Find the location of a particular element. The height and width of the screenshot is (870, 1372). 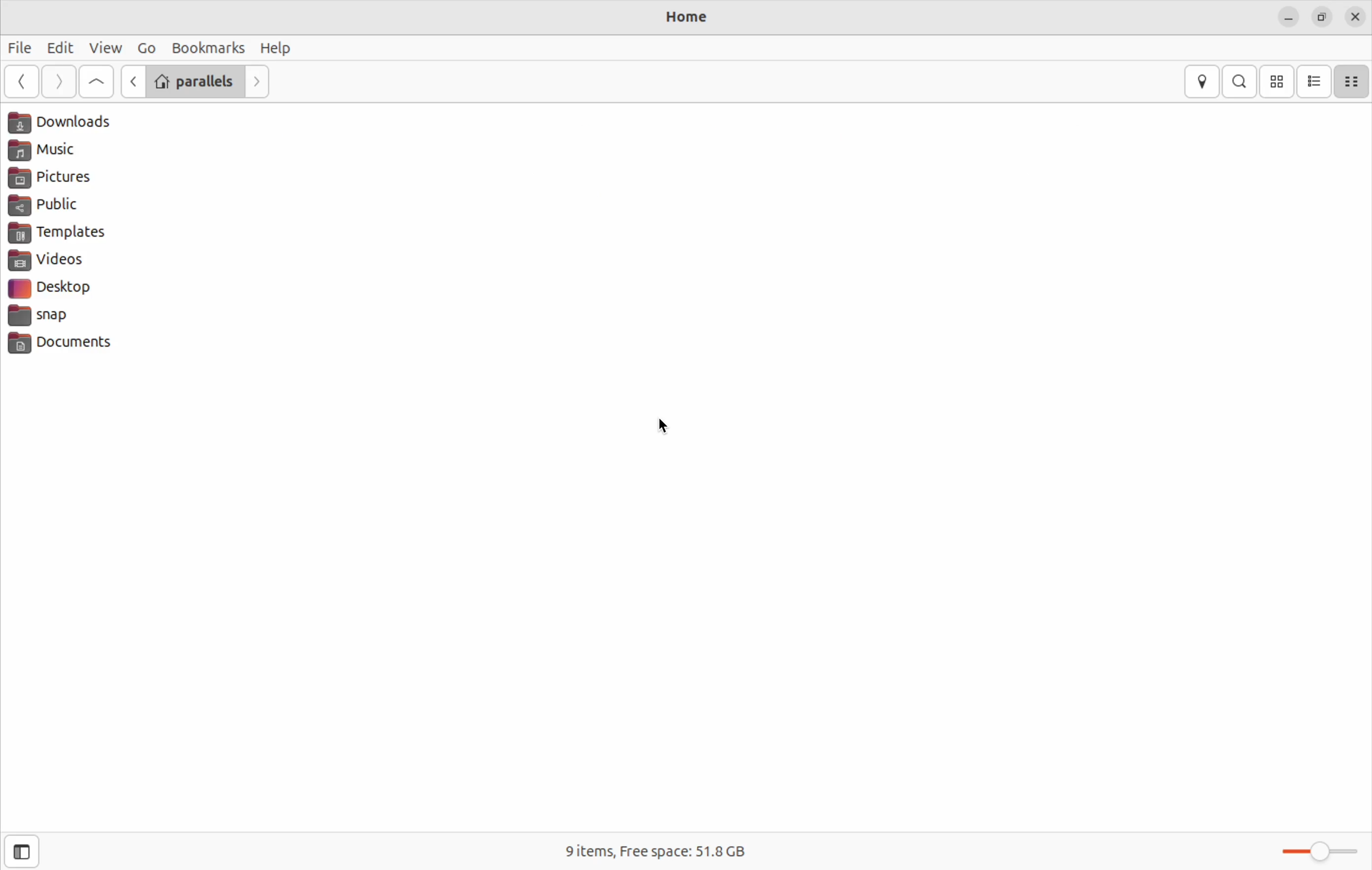

compact view is located at coordinates (1353, 82).